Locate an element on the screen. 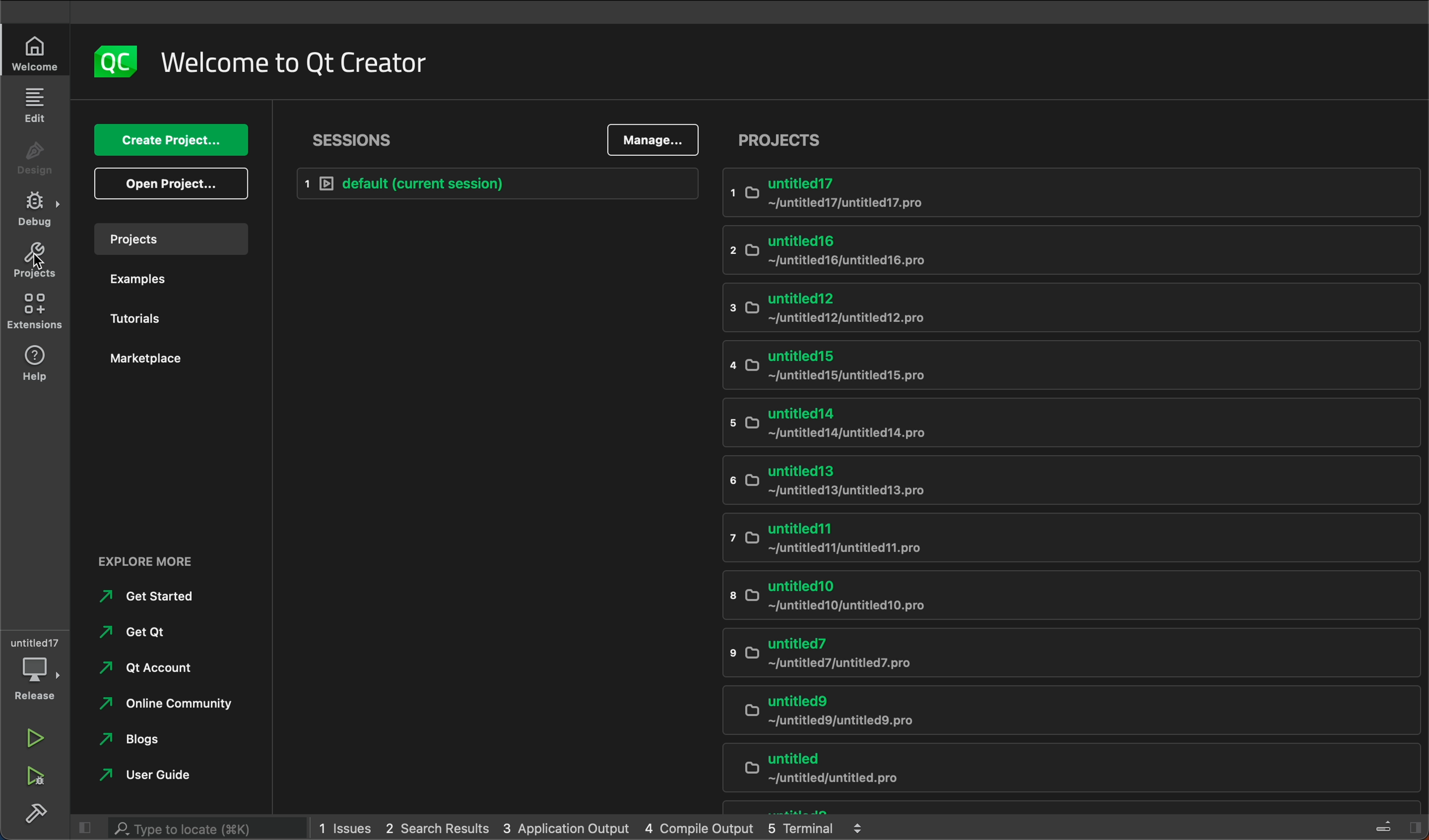  untitled13 is located at coordinates (1060, 482).